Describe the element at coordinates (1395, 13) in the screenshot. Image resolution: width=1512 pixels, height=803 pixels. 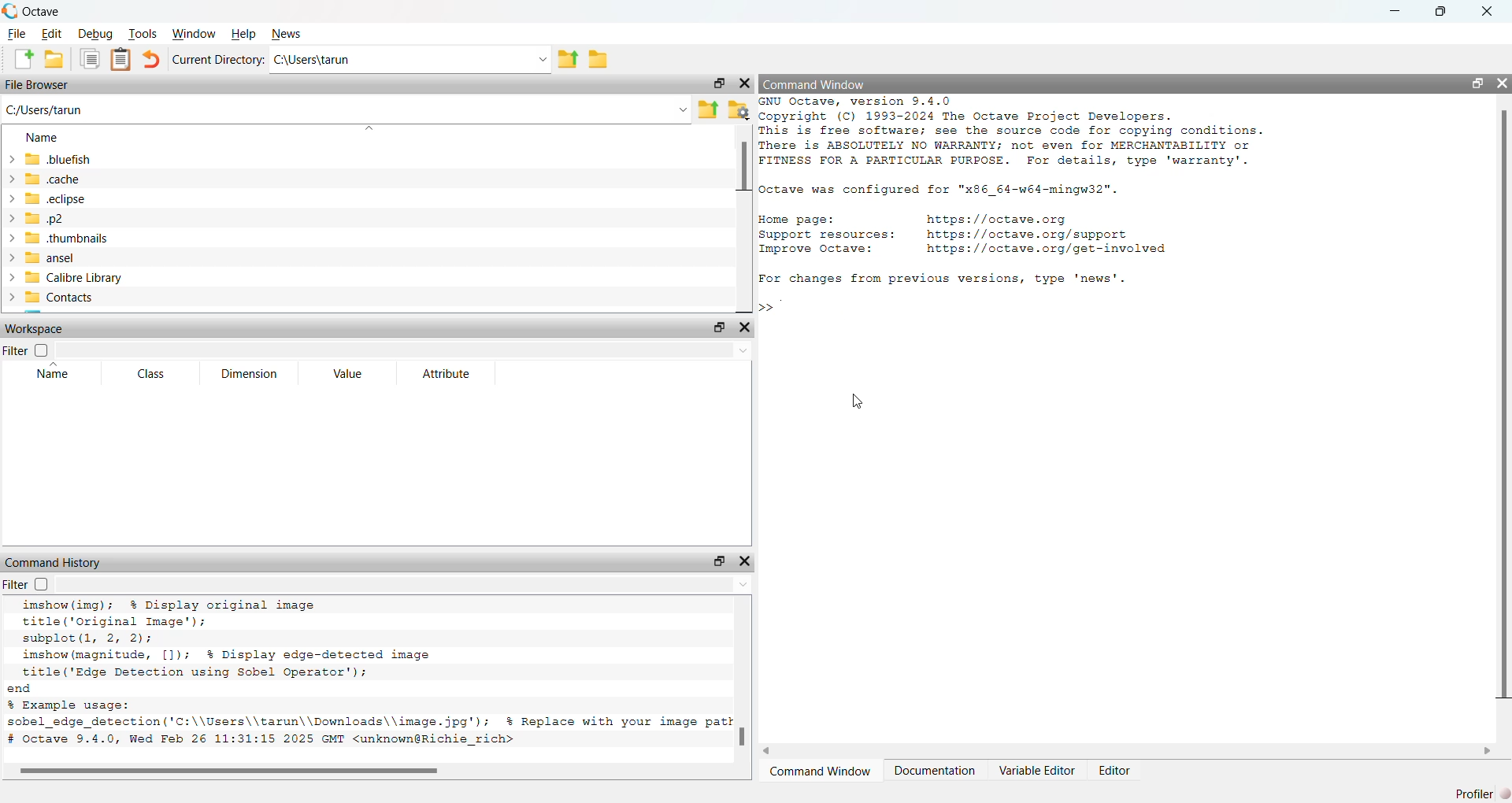
I see `minimize` at that location.